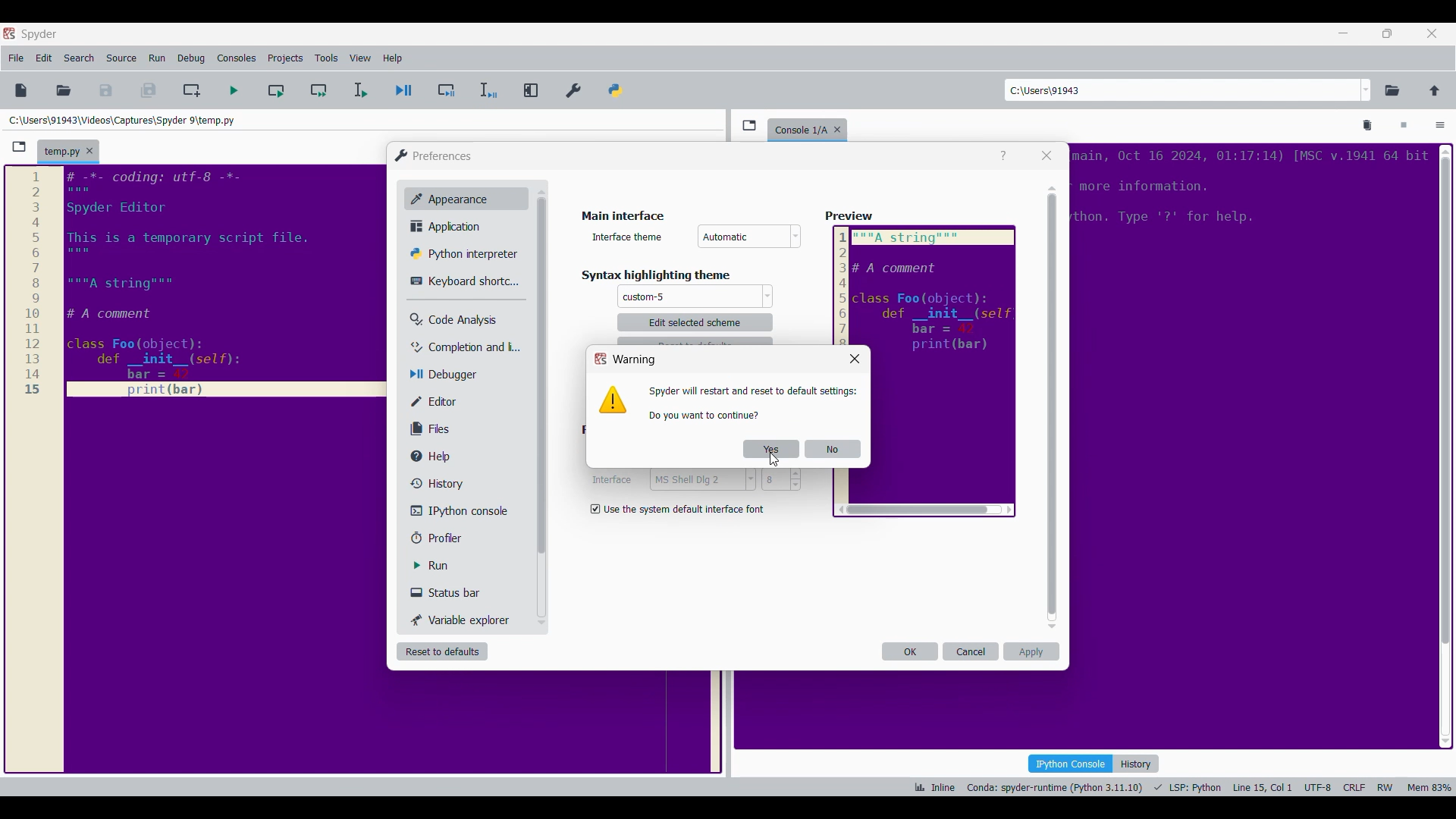 This screenshot has width=1456, height=819. Describe the element at coordinates (157, 58) in the screenshot. I see `Run menu` at that location.